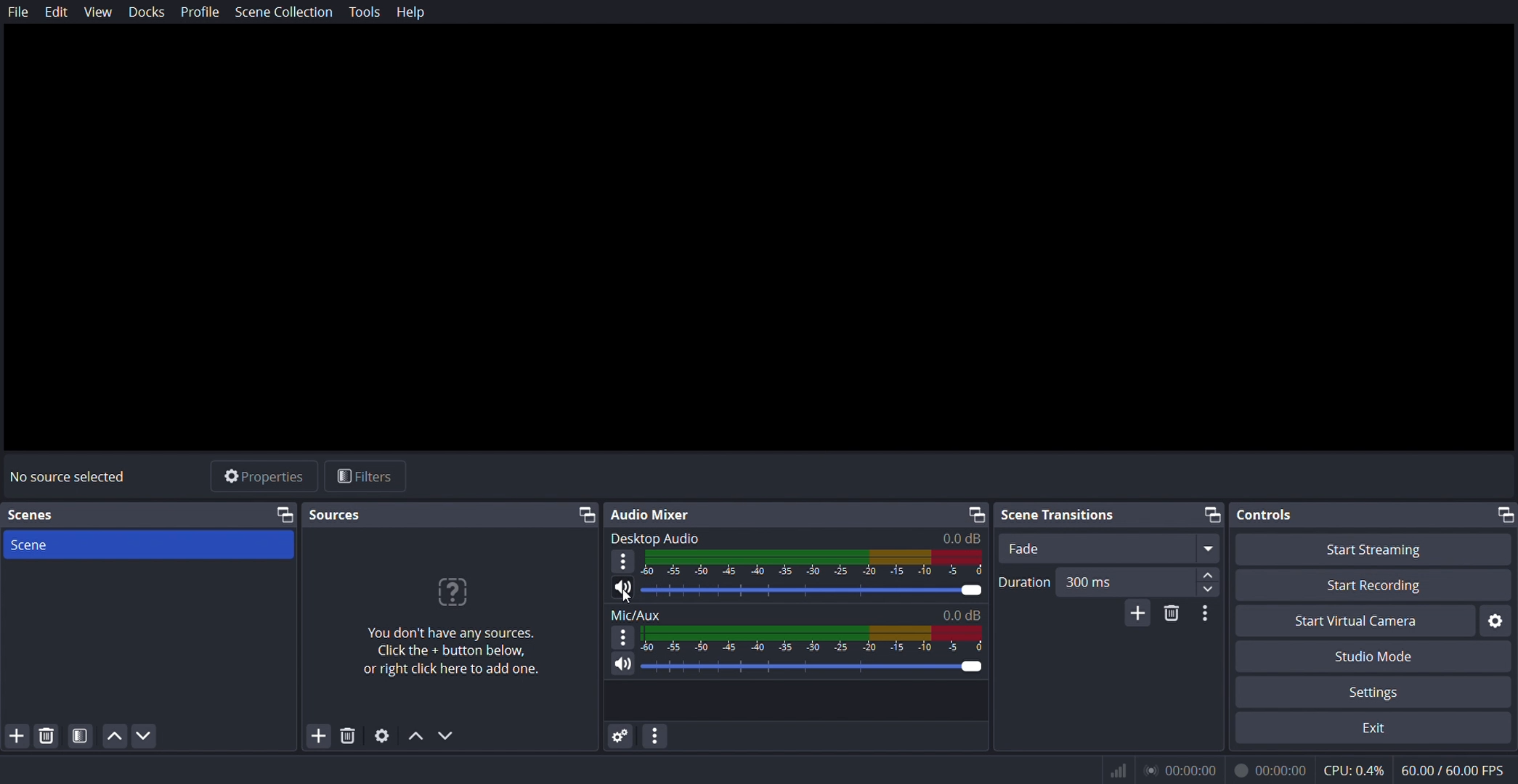  What do you see at coordinates (145, 735) in the screenshot?
I see `move down ` at bounding box center [145, 735].